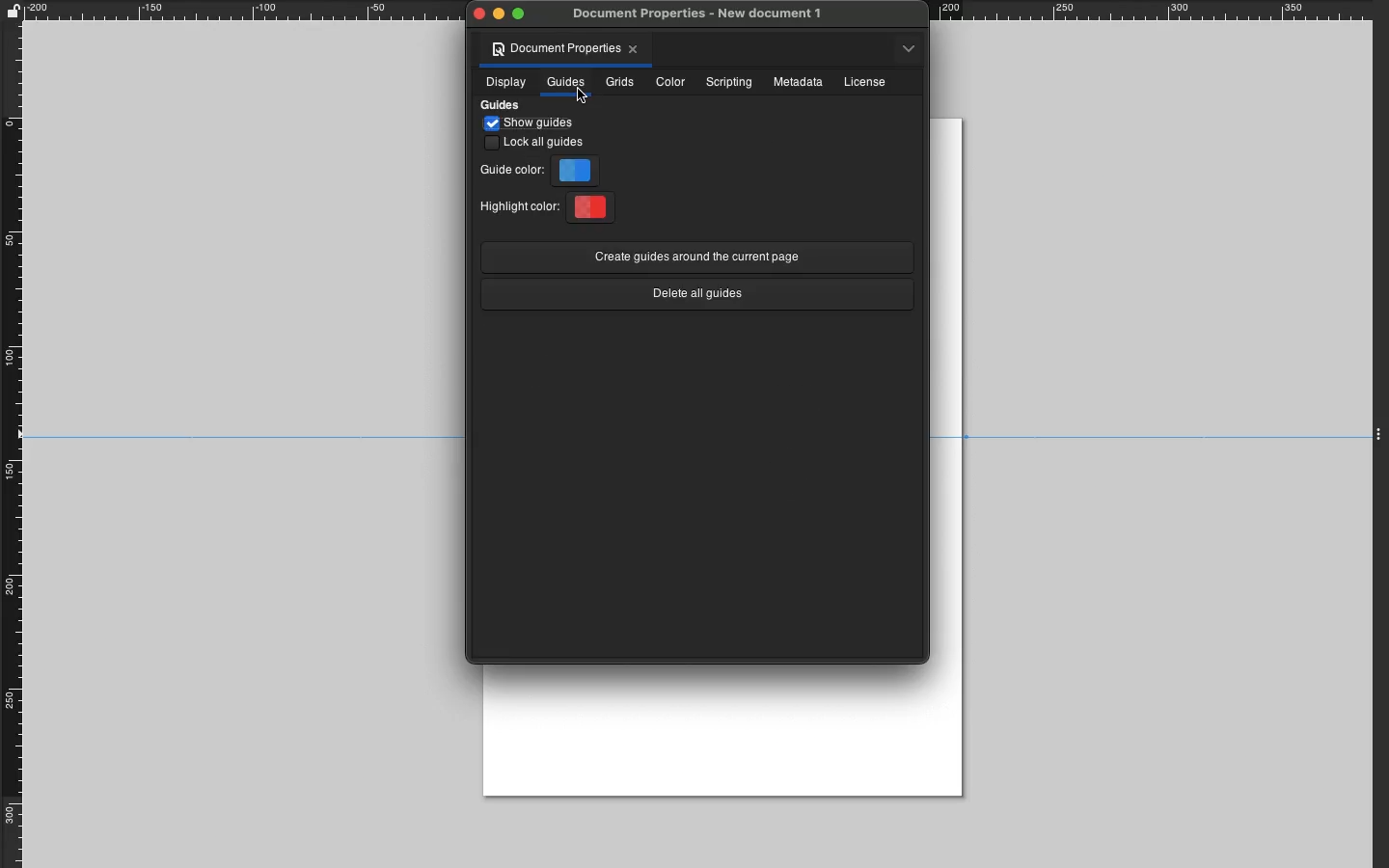  I want to click on Delete all guides, so click(695, 295).